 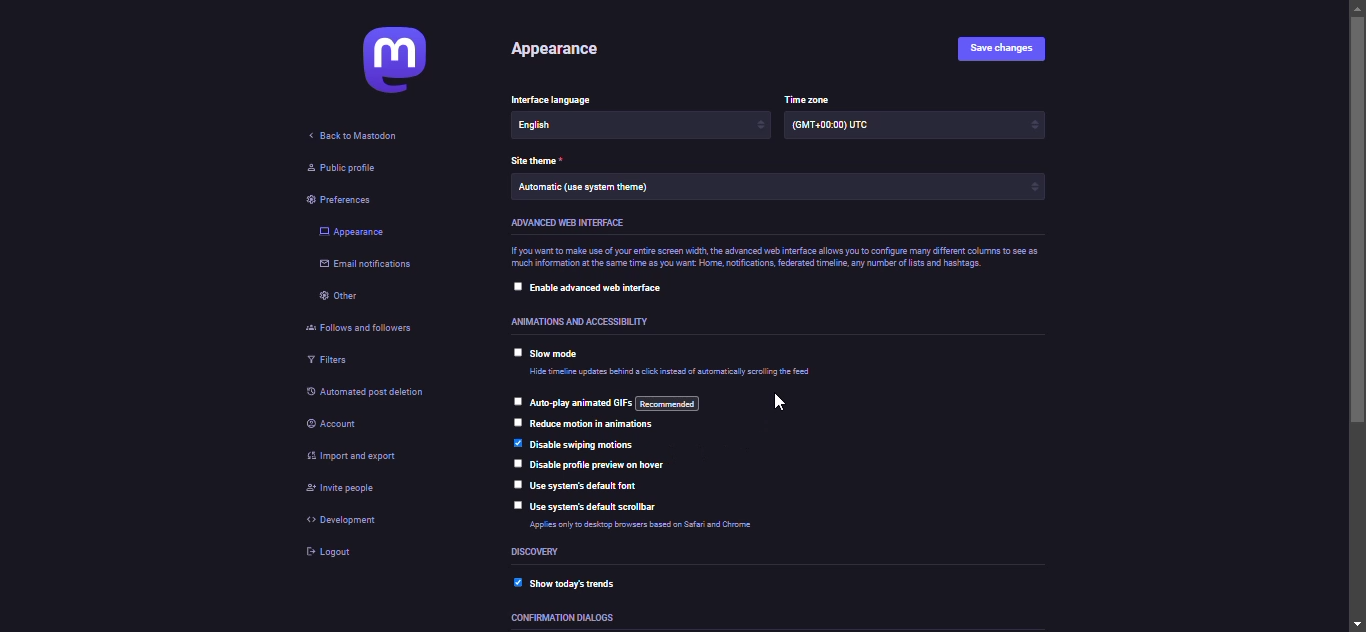 What do you see at coordinates (515, 483) in the screenshot?
I see `click to select` at bounding box center [515, 483].